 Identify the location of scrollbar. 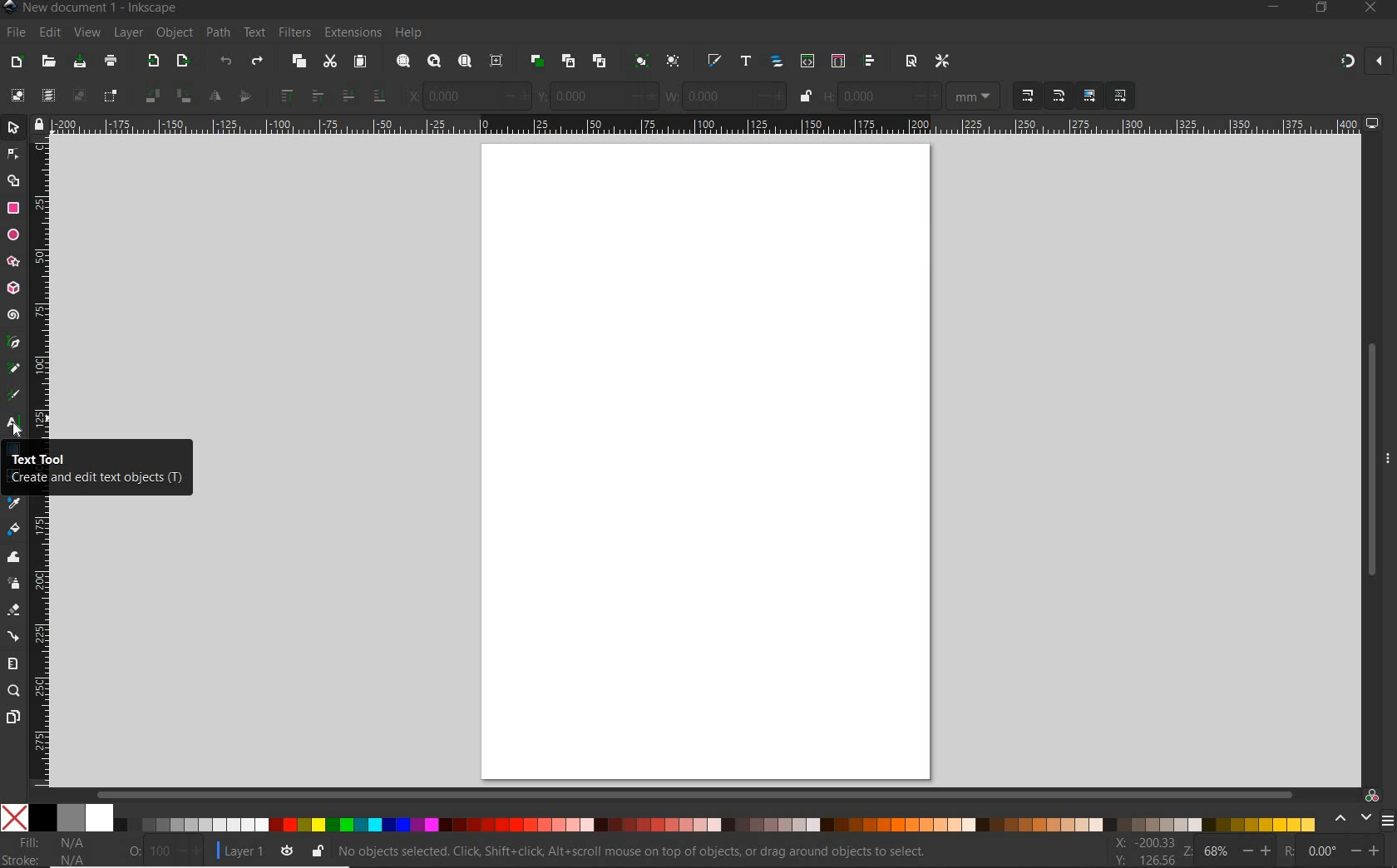
(1370, 461).